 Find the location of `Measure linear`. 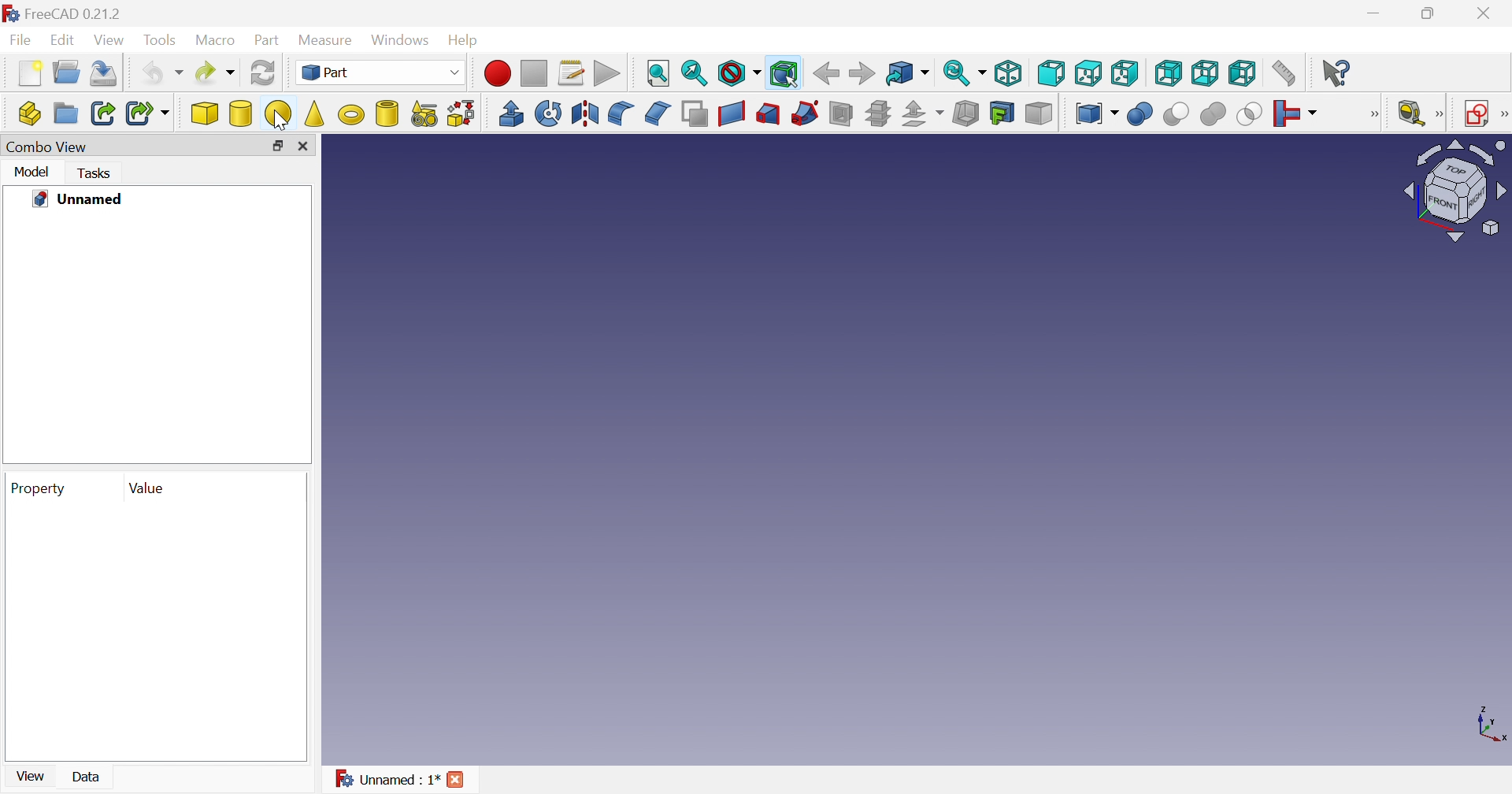

Measure linear is located at coordinates (1420, 111).